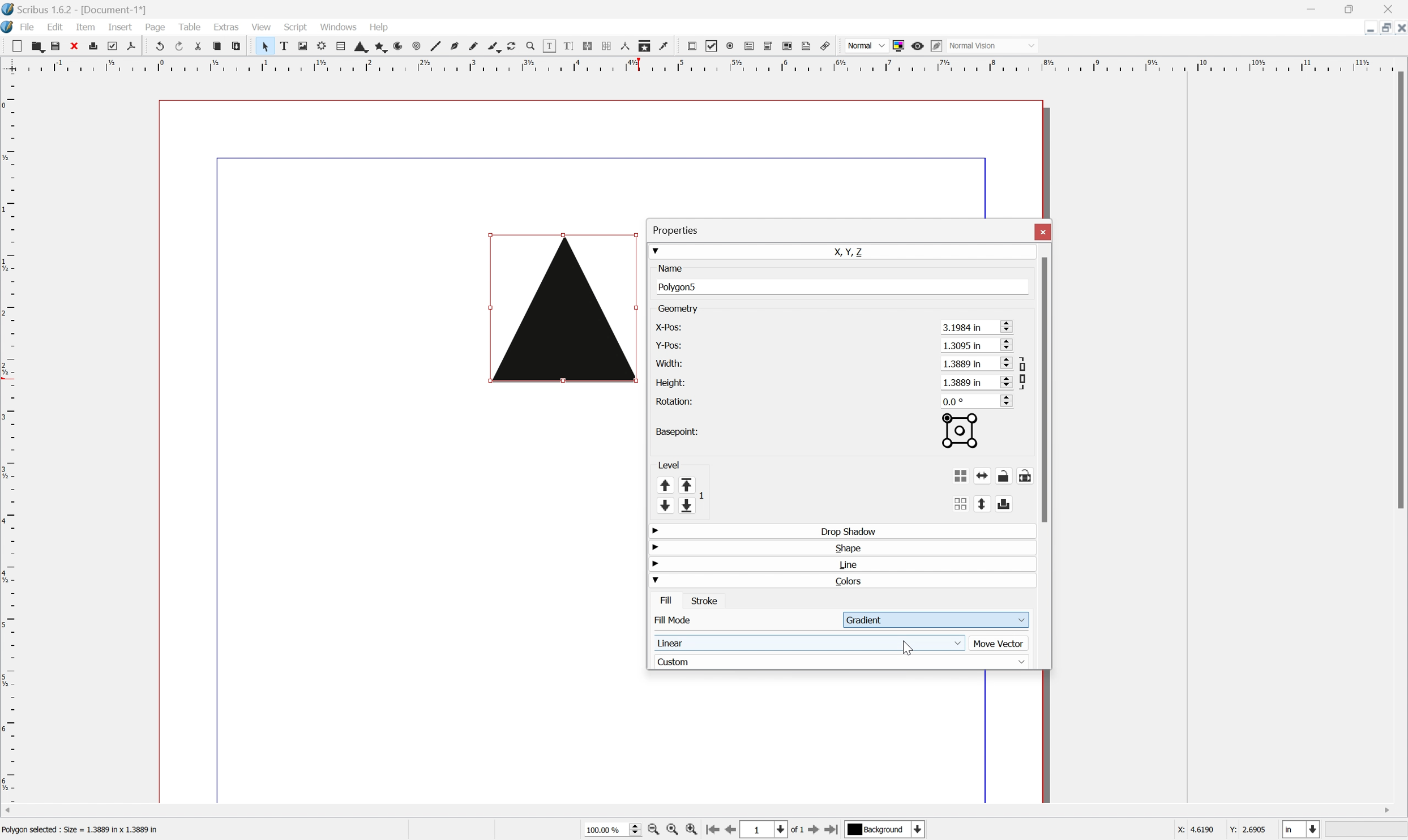 Image resolution: width=1408 pixels, height=840 pixels. Describe the element at coordinates (691, 47) in the screenshot. I see `PDF push button` at that location.